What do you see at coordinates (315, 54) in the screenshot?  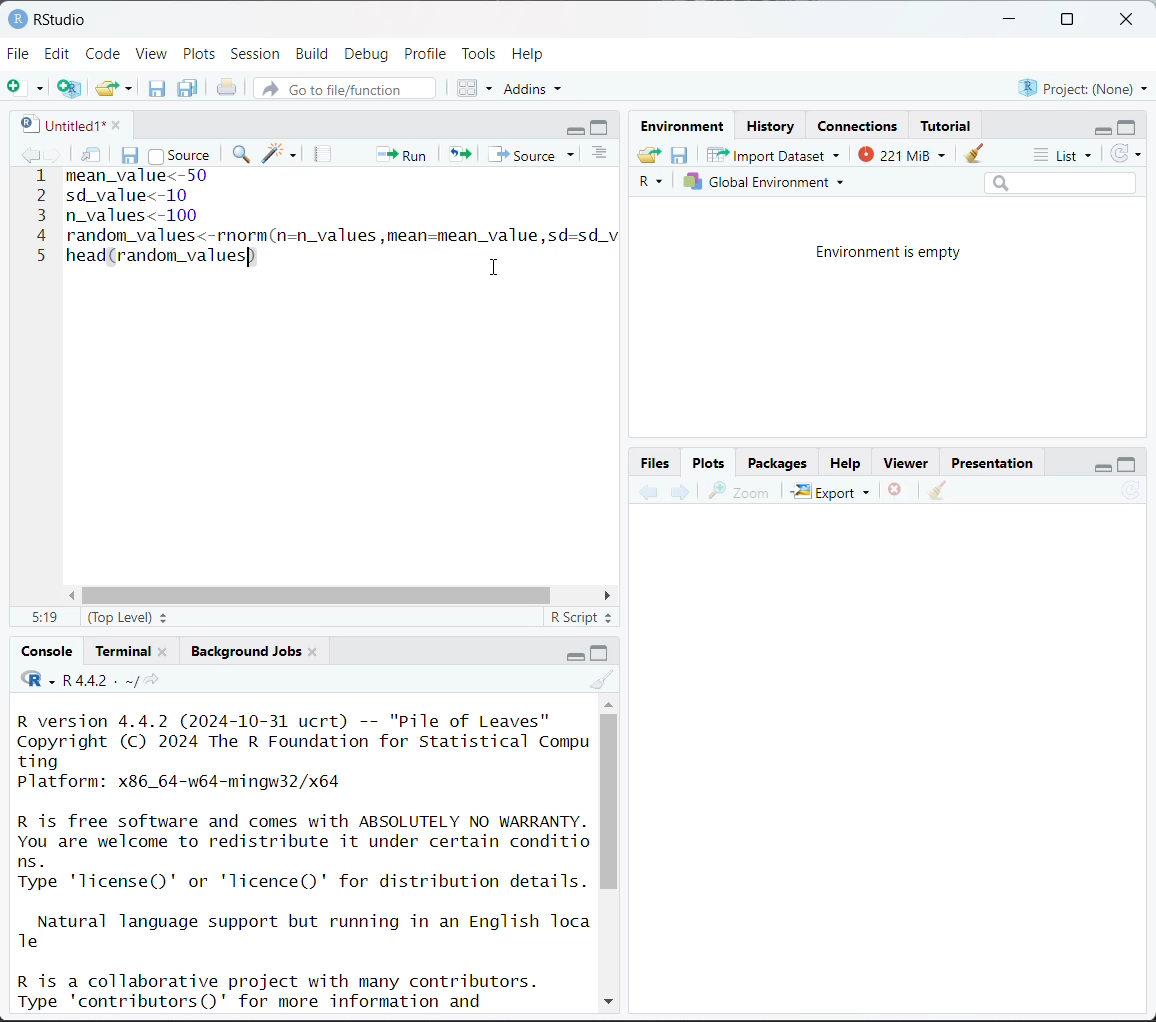 I see `Build` at bounding box center [315, 54].